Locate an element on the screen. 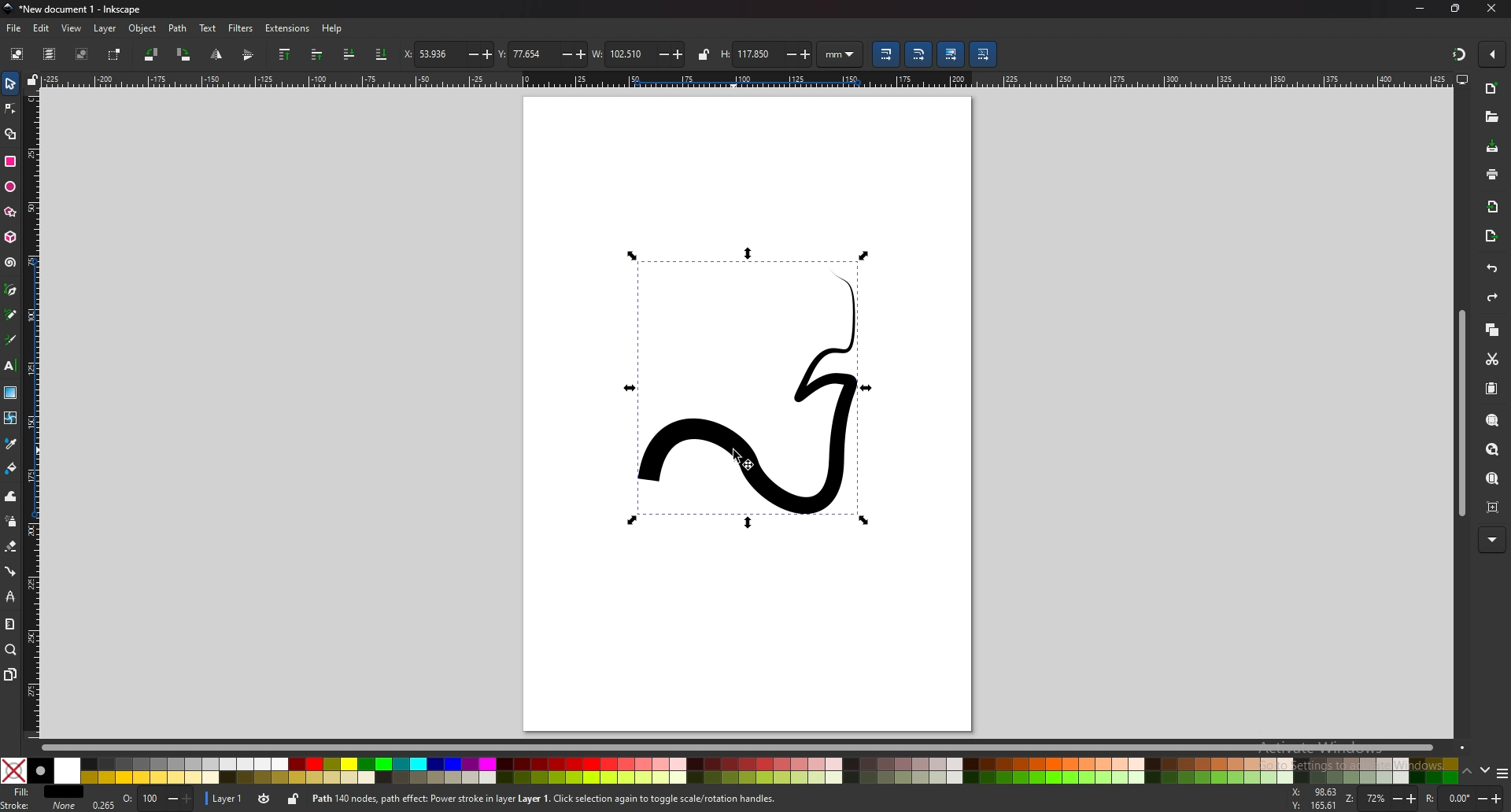  toggle selection box is located at coordinates (115, 55).